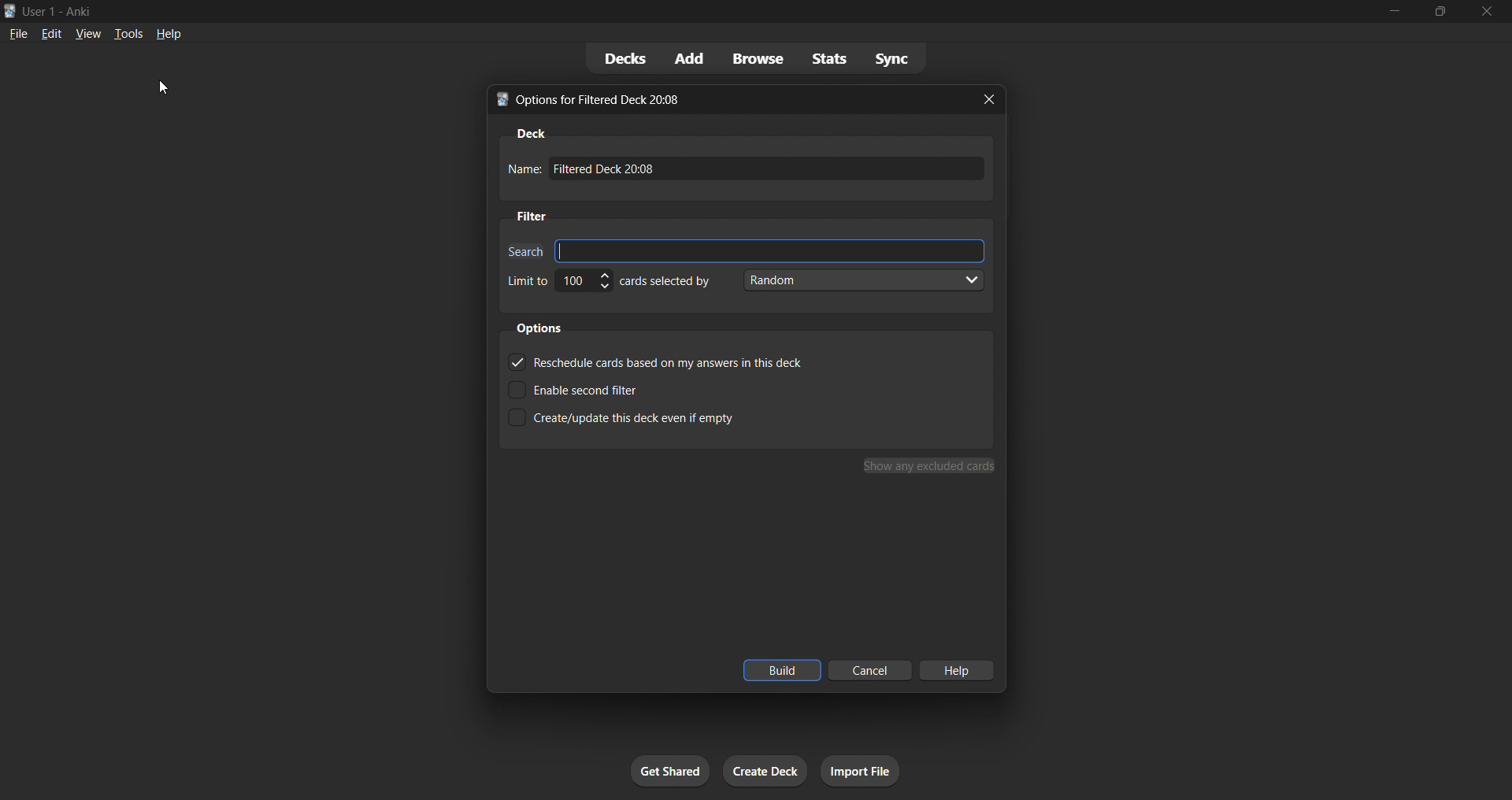  What do you see at coordinates (770, 168) in the screenshot?
I see `filtered deck name ` at bounding box center [770, 168].